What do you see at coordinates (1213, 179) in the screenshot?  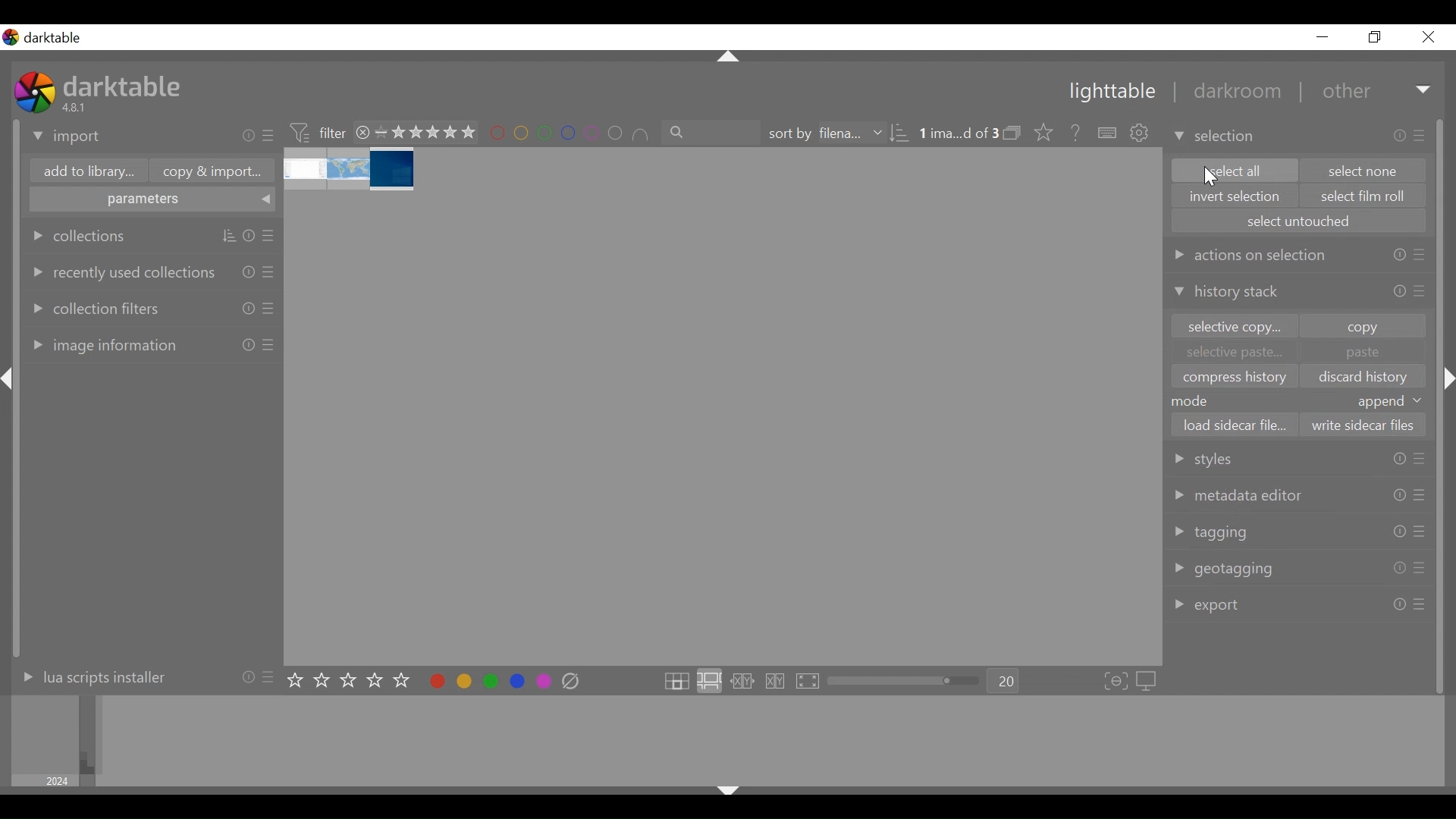 I see `cursor` at bounding box center [1213, 179].